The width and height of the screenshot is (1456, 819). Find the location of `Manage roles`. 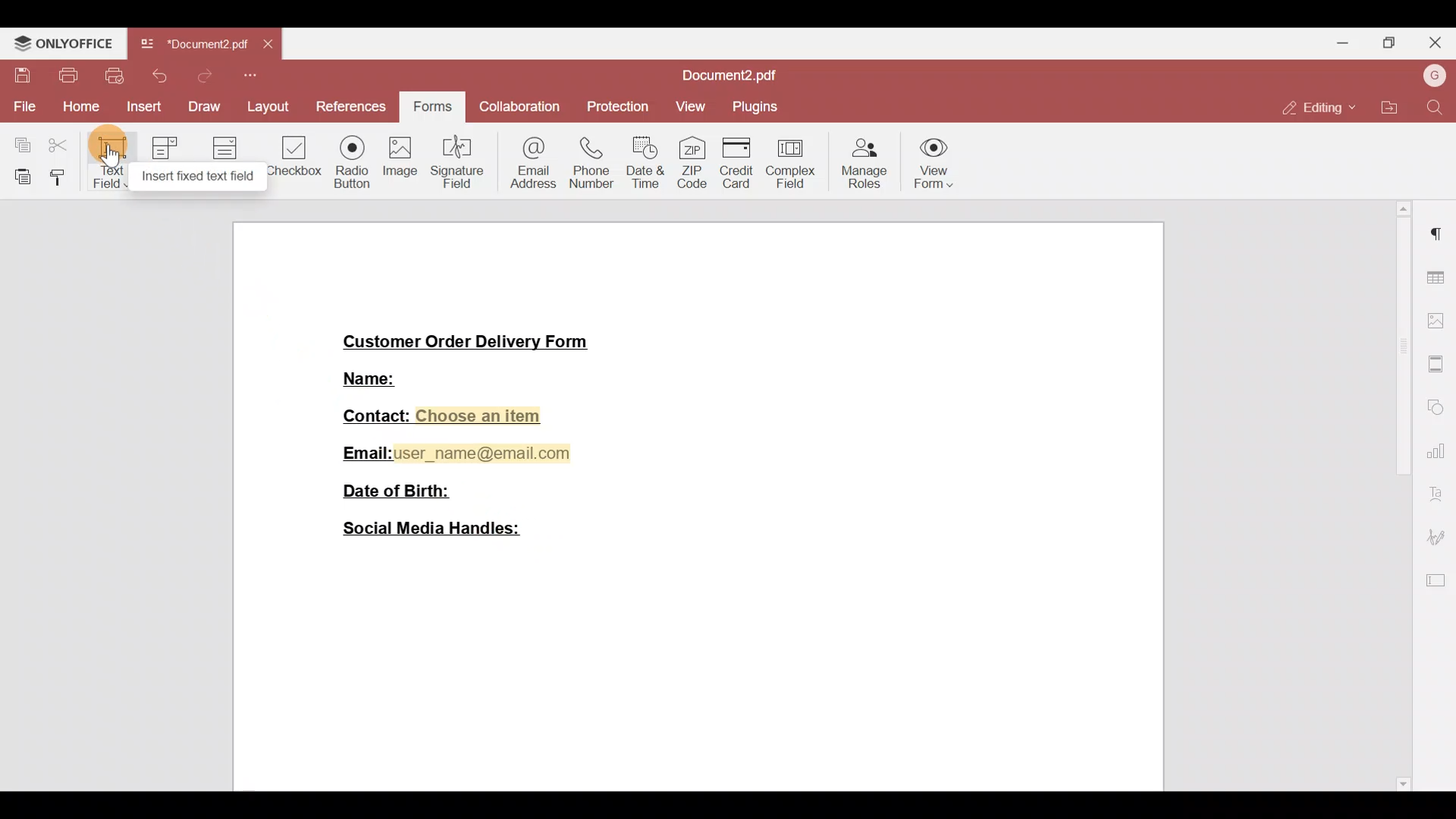

Manage roles is located at coordinates (866, 161).